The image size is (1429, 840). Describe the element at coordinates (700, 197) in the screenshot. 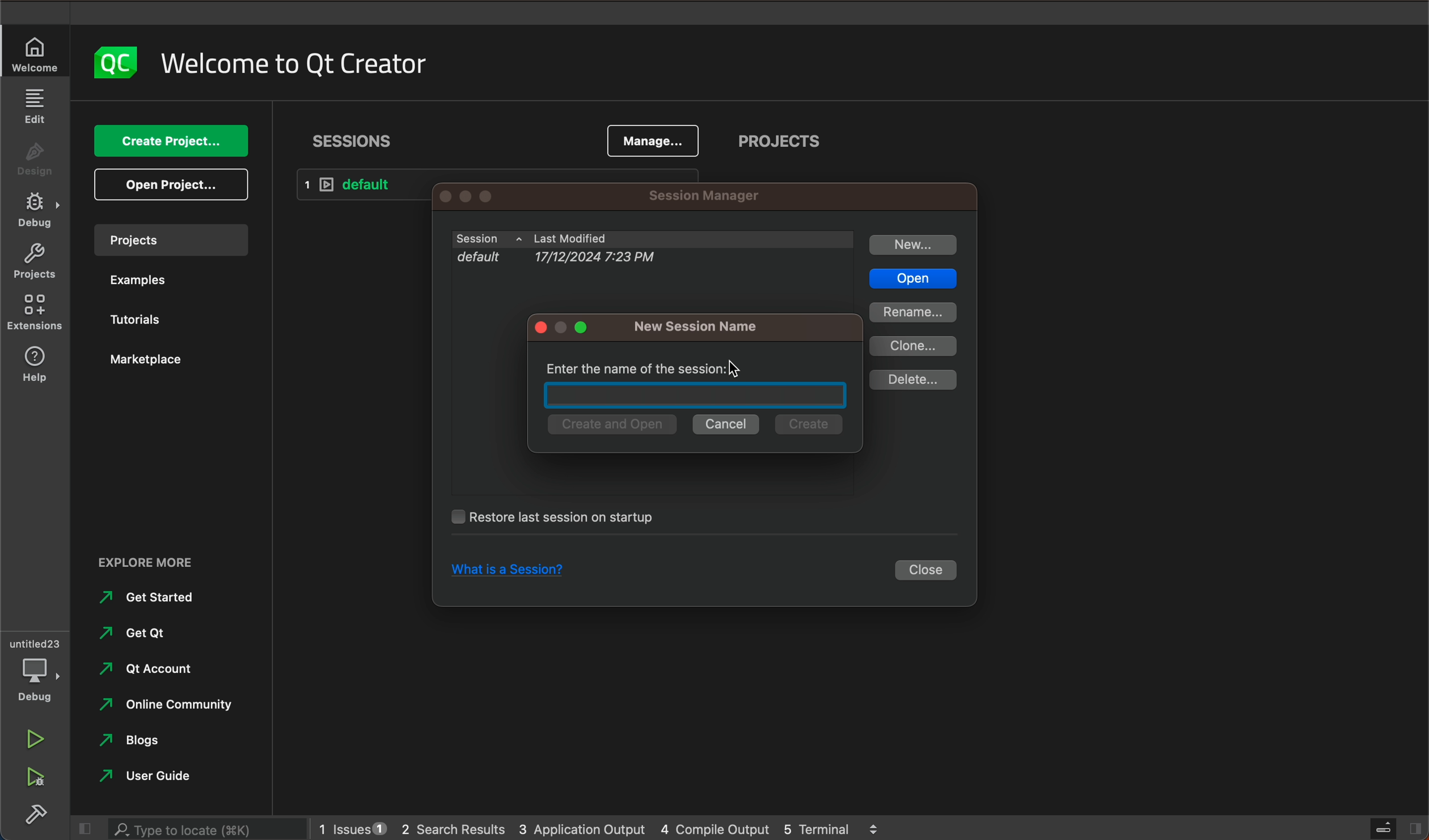

I see `session manager` at that location.